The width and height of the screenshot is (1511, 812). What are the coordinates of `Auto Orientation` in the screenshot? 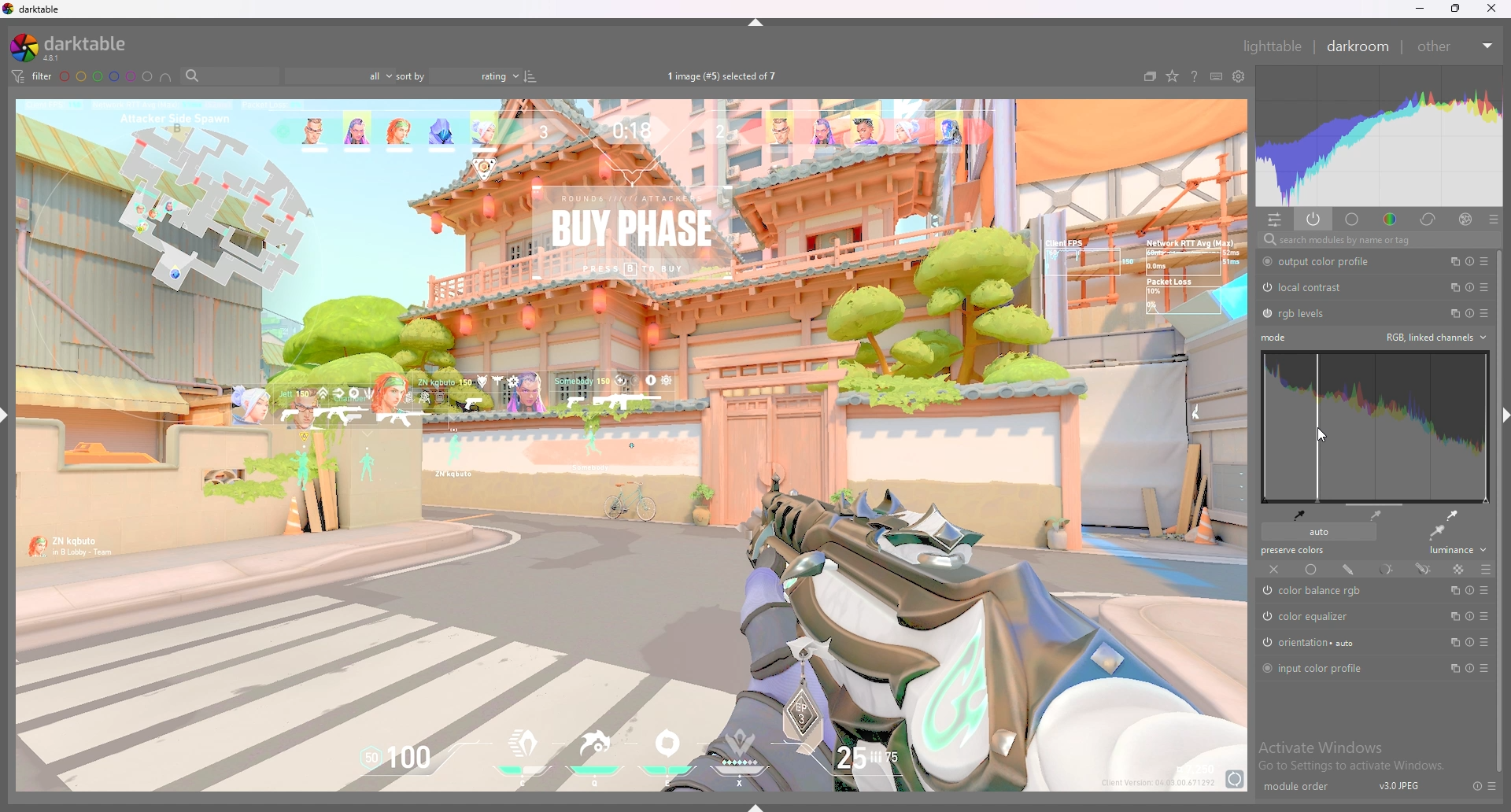 It's located at (1316, 644).